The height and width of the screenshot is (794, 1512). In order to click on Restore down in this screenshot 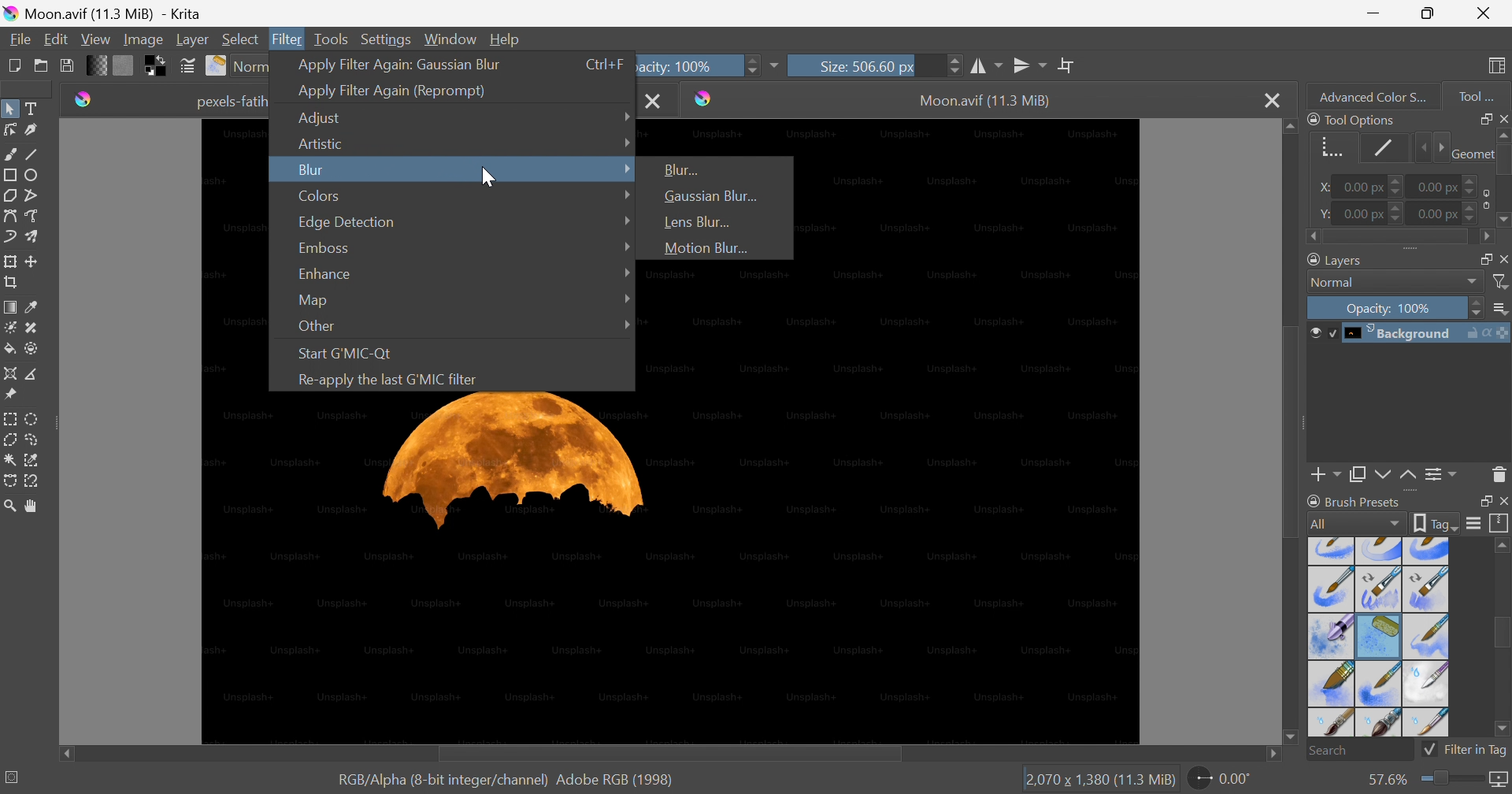, I will do `click(1428, 13)`.